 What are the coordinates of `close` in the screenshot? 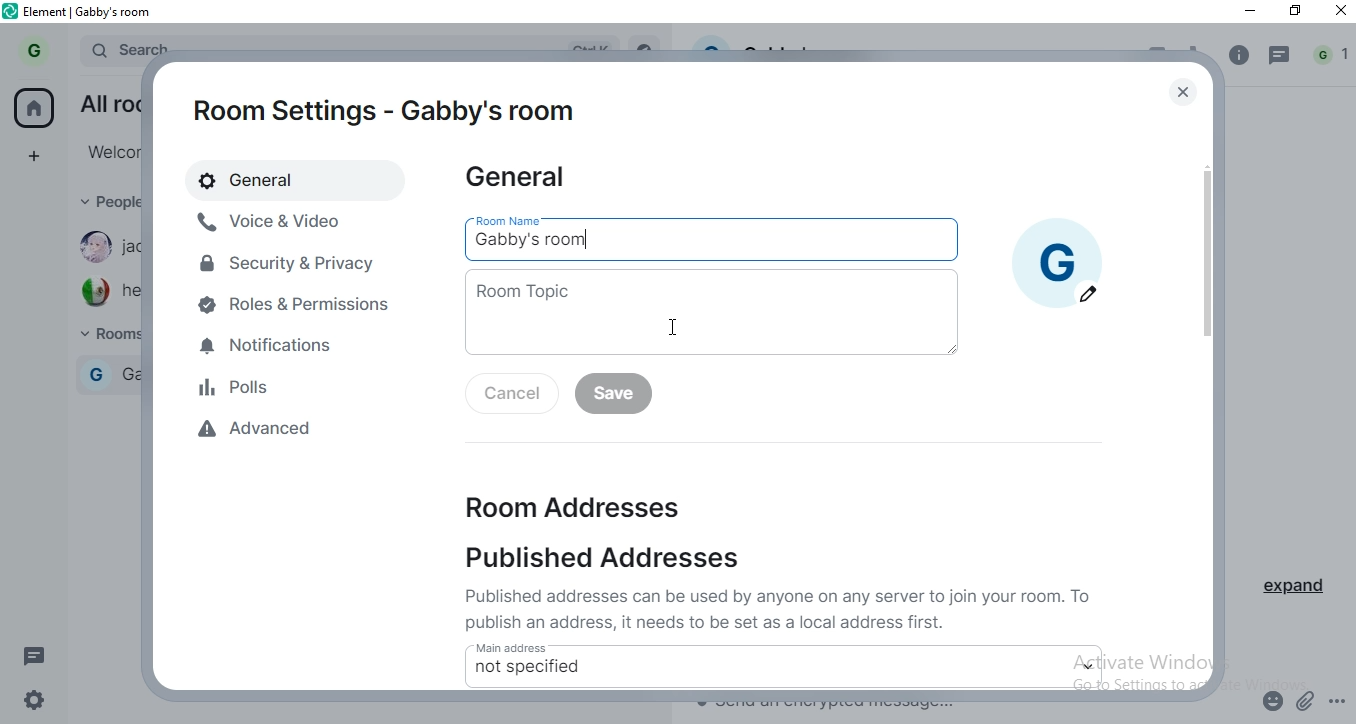 It's located at (1337, 15).